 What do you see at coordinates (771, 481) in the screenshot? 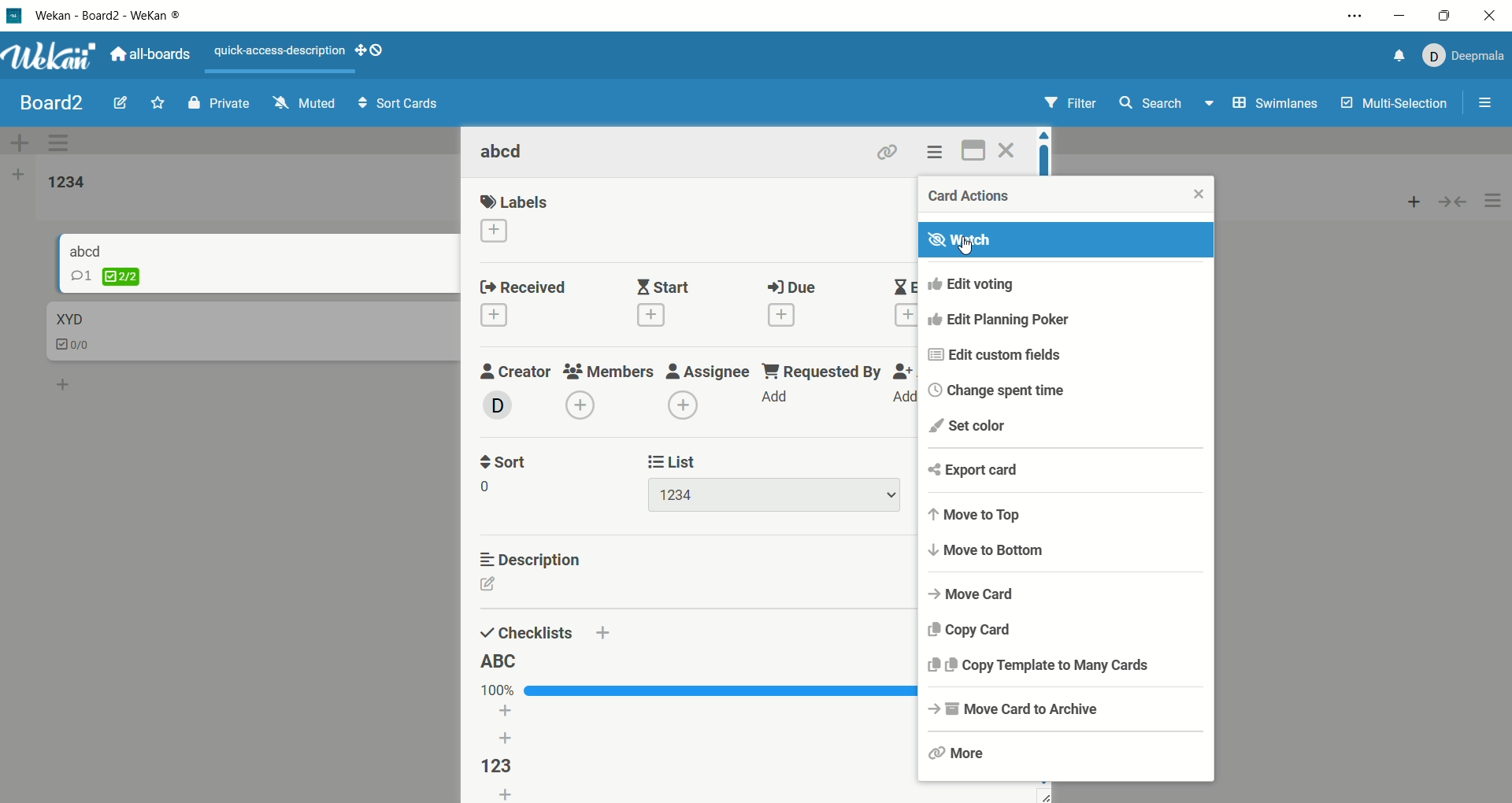
I see `list` at bounding box center [771, 481].